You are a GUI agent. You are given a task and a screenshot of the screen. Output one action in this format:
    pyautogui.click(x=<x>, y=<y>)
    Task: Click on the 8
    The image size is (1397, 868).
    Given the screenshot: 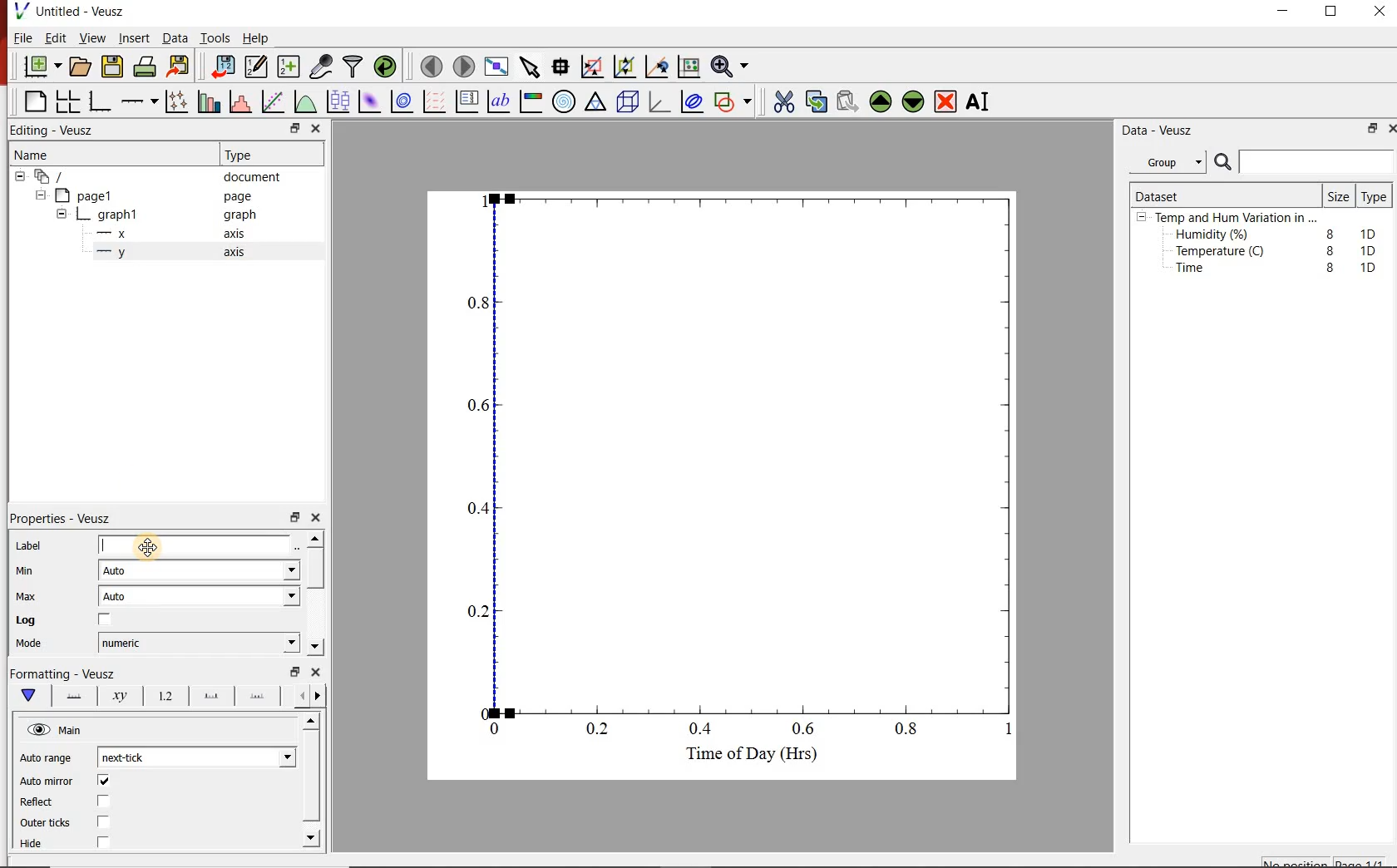 What is the action you would take?
    pyautogui.click(x=1330, y=268)
    